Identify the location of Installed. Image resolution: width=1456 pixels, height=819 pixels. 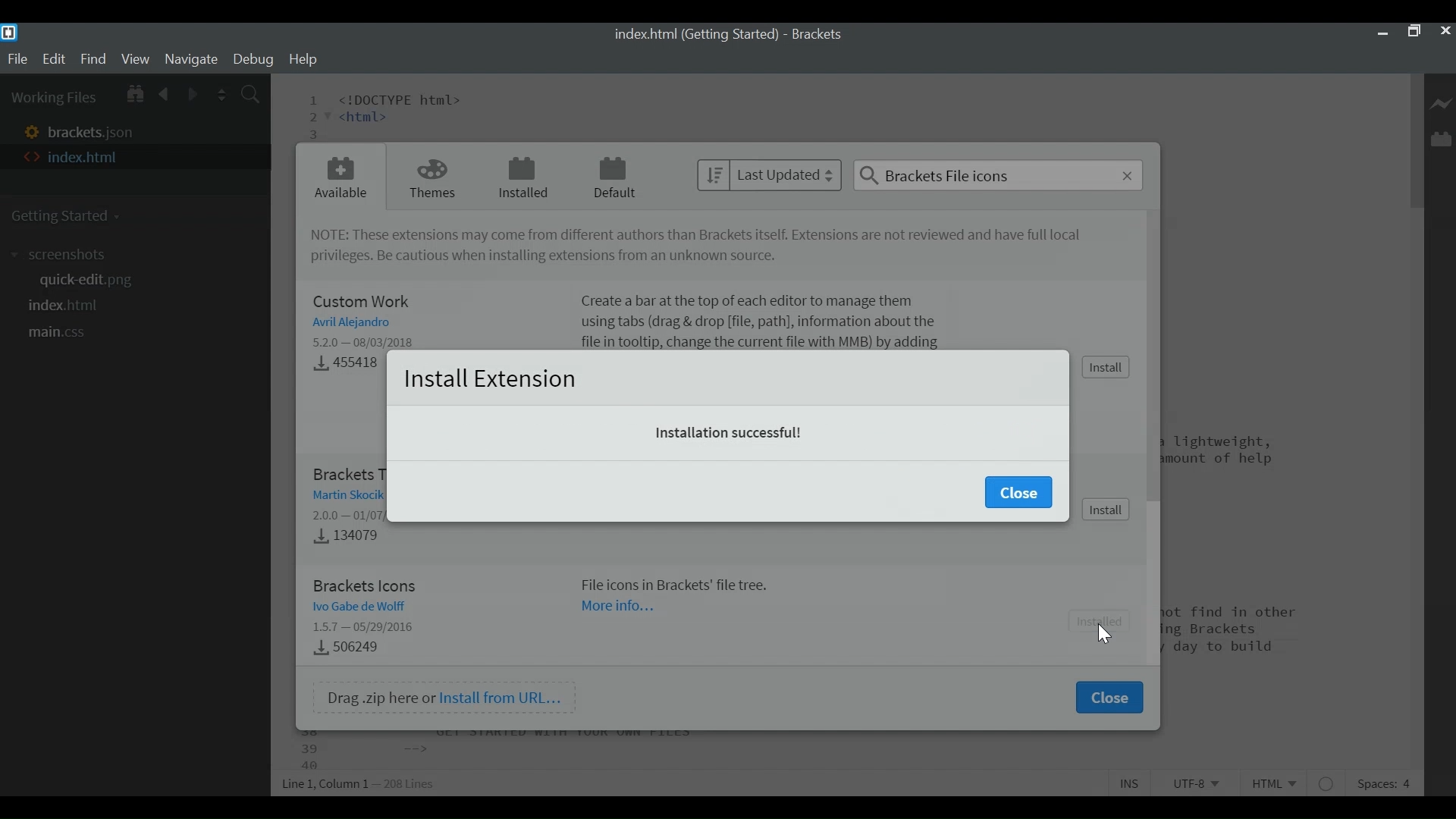
(522, 178).